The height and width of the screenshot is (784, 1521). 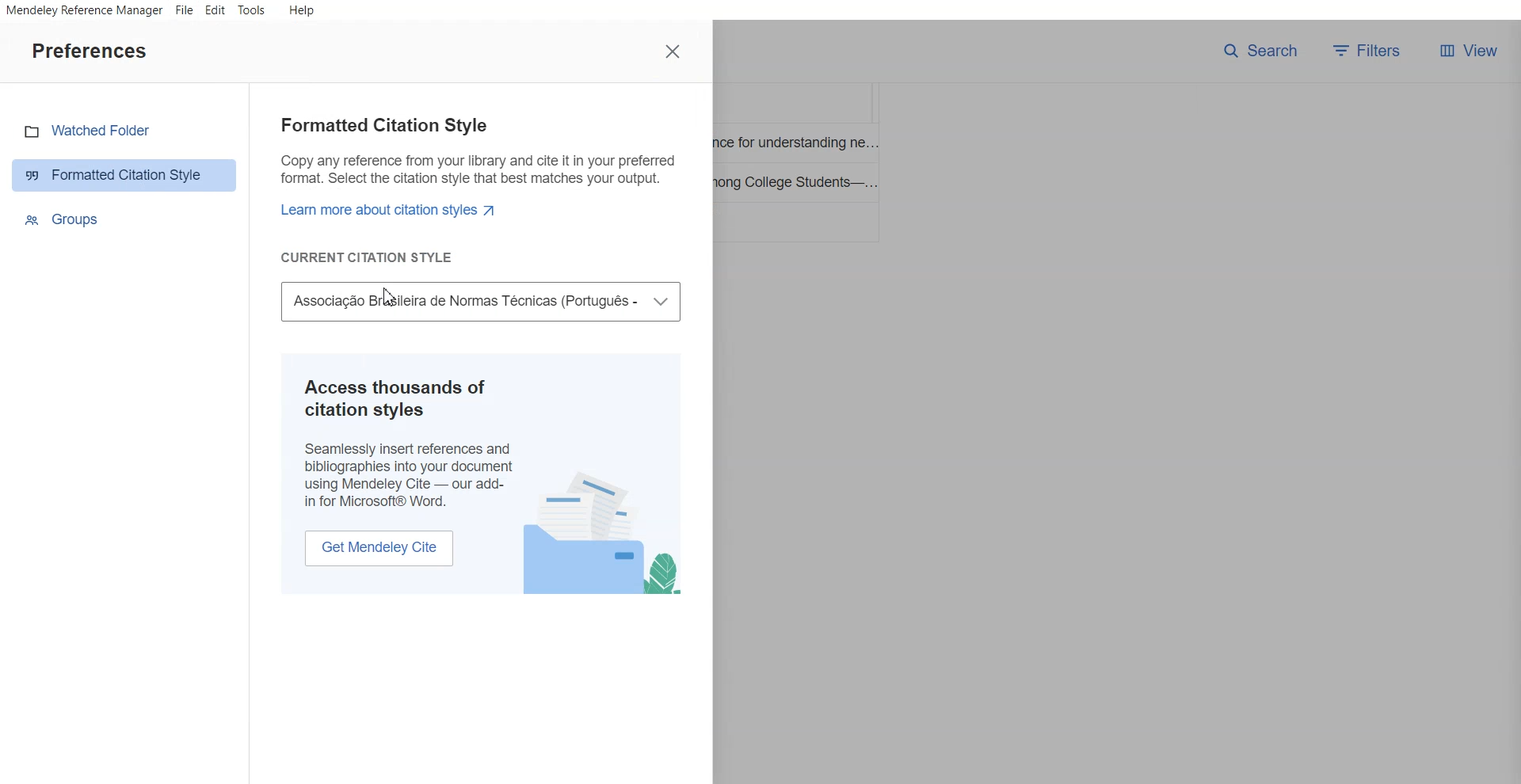 I want to click on Filters, so click(x=1371, y=51).